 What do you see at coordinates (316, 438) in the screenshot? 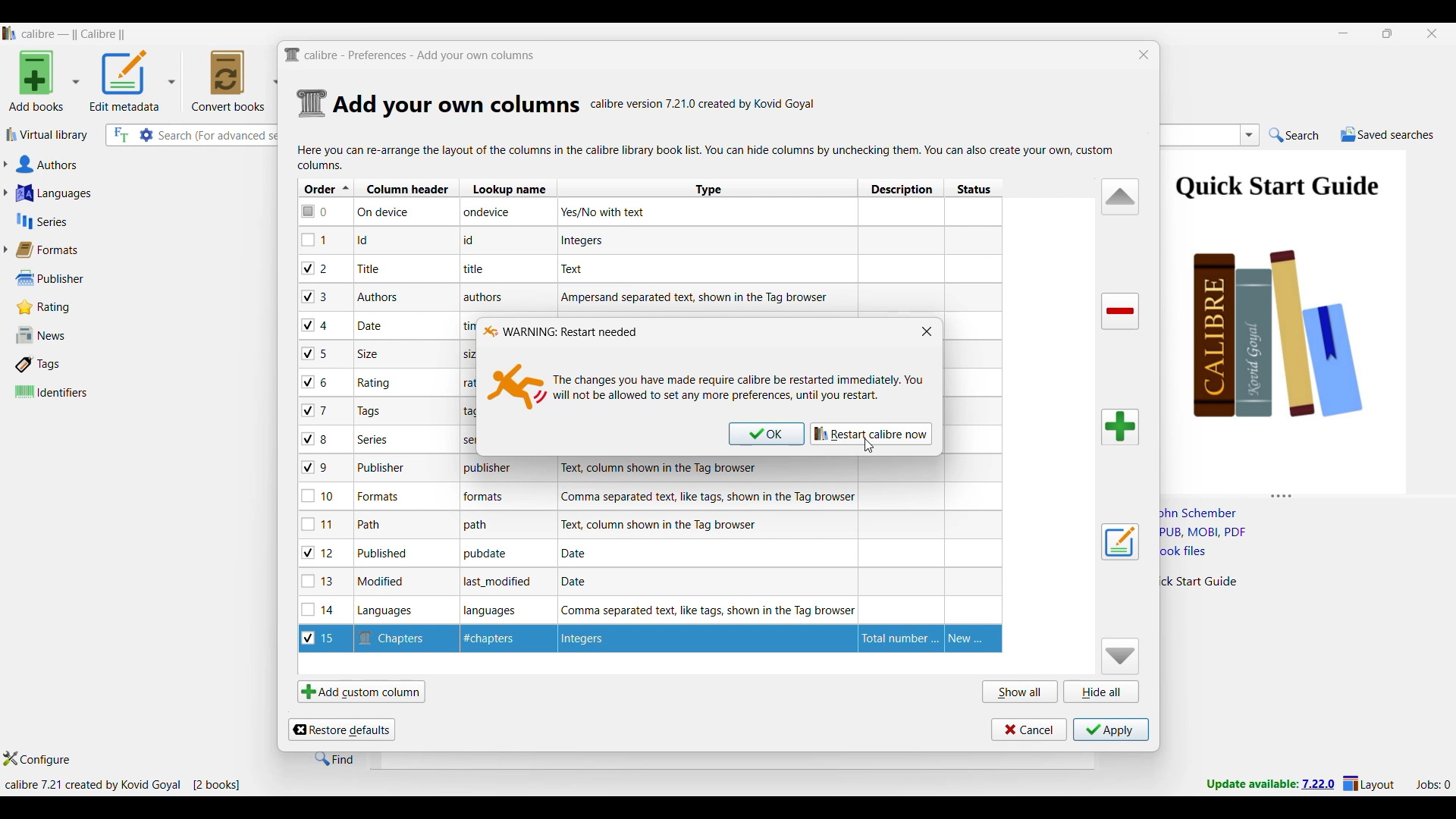
I see `checkbox - 8` at bounding box center [316, 438].